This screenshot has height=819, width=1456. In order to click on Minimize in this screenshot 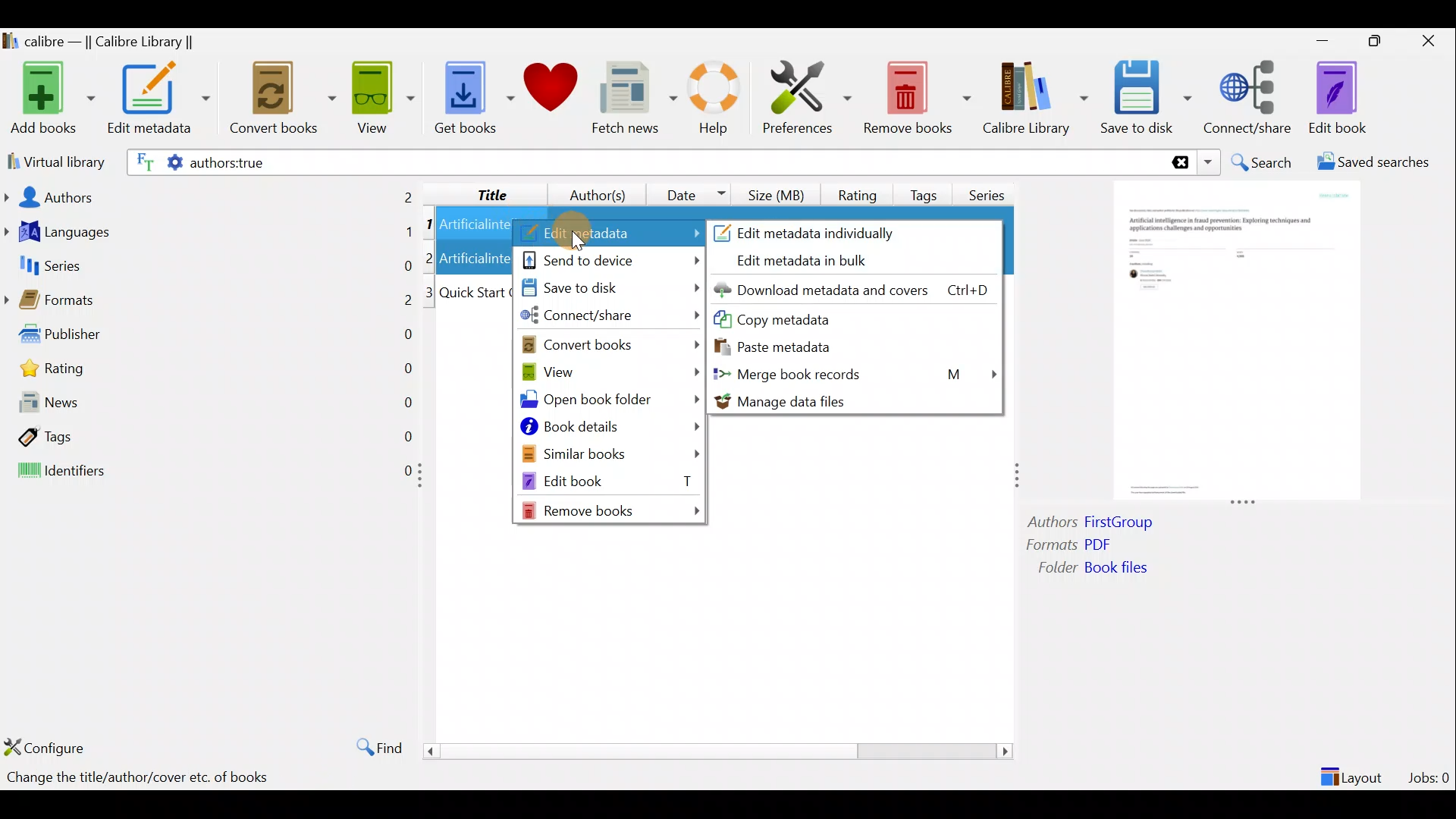, I will do `click(1323, 40)`.